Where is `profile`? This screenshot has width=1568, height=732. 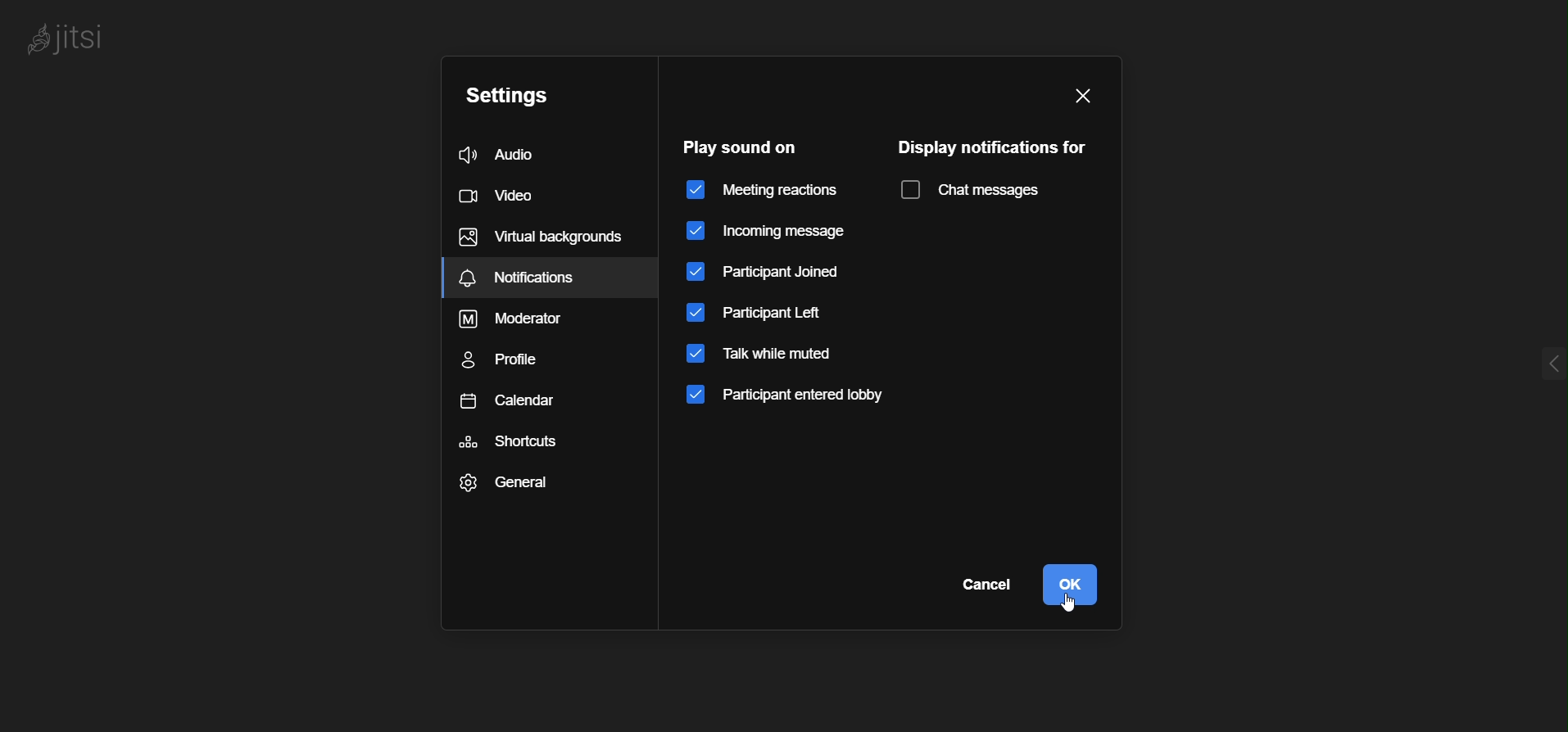 profile is located at coordinates (514, 364).